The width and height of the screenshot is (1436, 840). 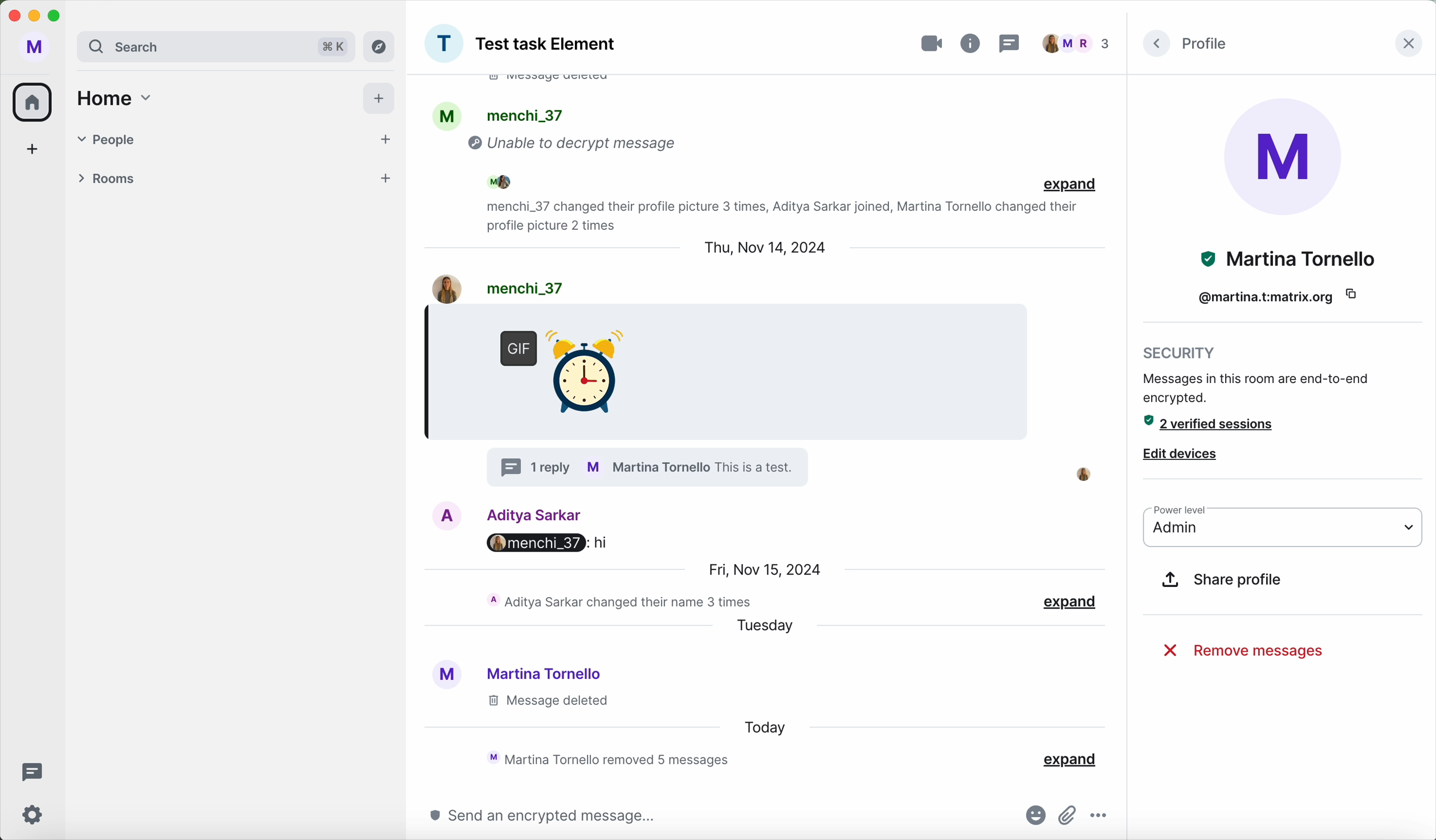 What do you see at coordinates (1283, 533) in the screenshot?
I see `admin` at bounding box center [1283, 533].